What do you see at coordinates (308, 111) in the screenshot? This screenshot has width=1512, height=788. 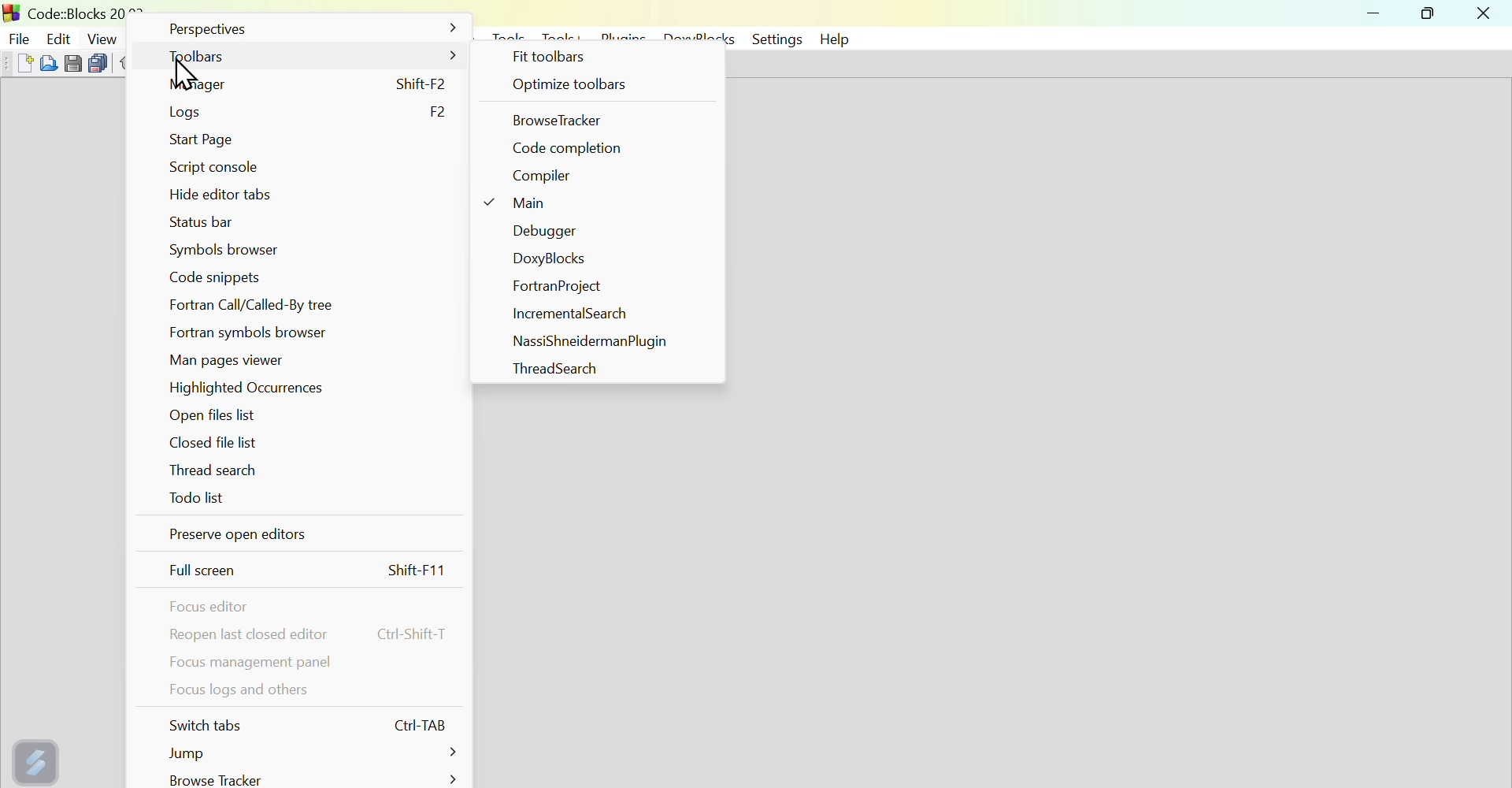 I see `Logs` at bounding box center [308, 111].